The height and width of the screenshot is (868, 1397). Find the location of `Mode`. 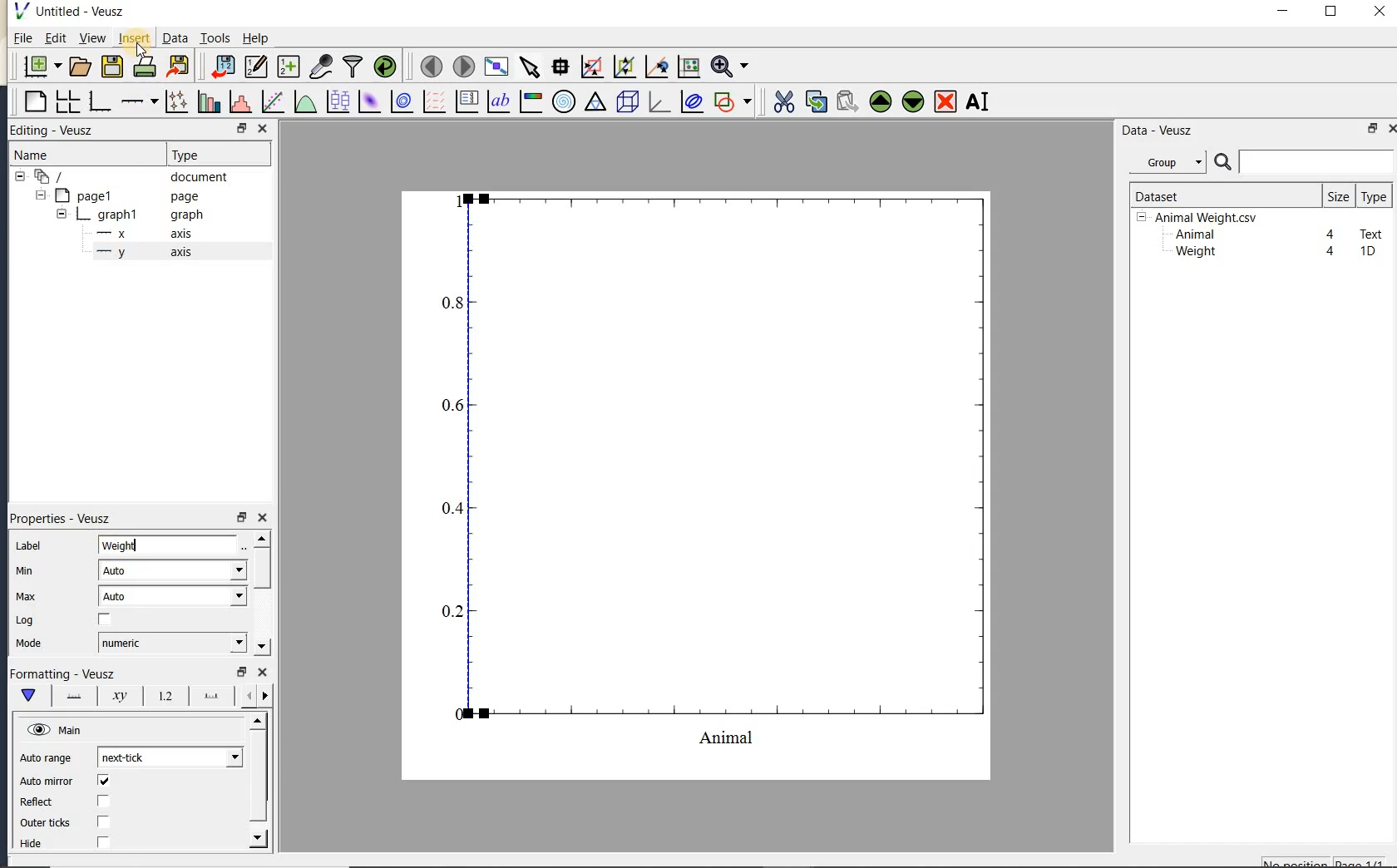

Mode is located at coordinates (28, 644).